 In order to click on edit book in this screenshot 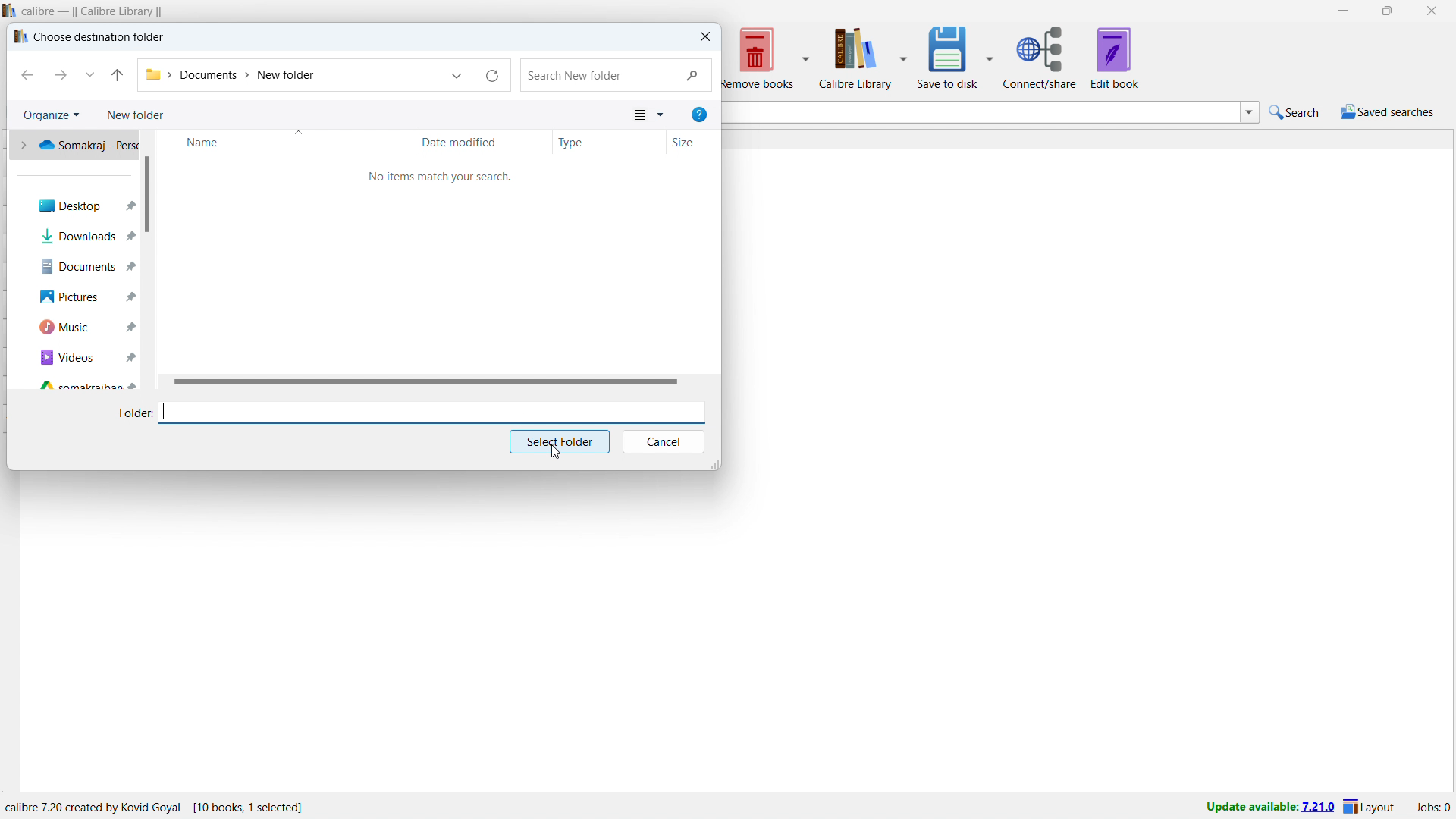, I will do `click(1115, 57)`.